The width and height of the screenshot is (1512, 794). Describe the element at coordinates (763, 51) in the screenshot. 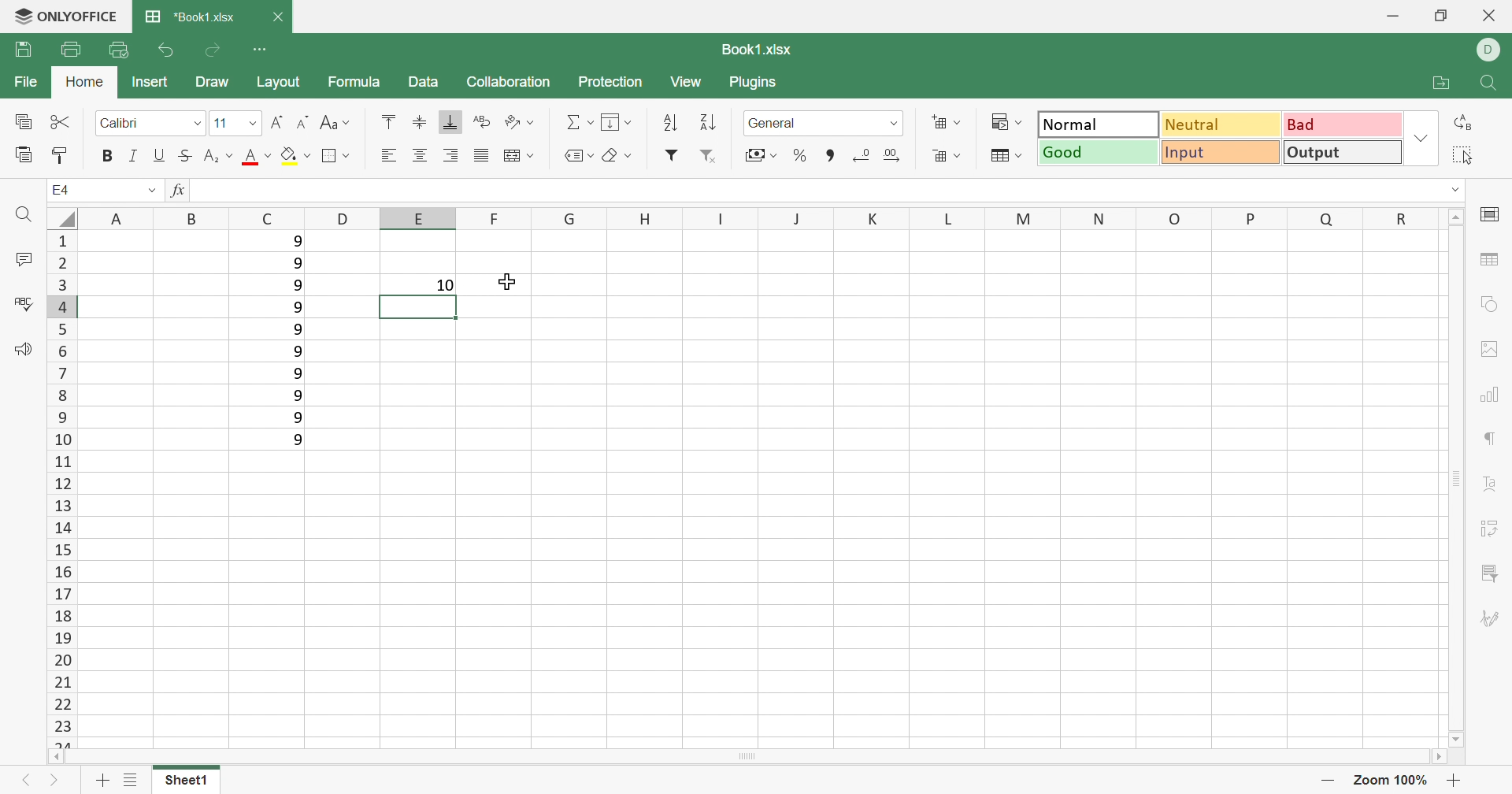

I see `Book1.xlsx` at that location.